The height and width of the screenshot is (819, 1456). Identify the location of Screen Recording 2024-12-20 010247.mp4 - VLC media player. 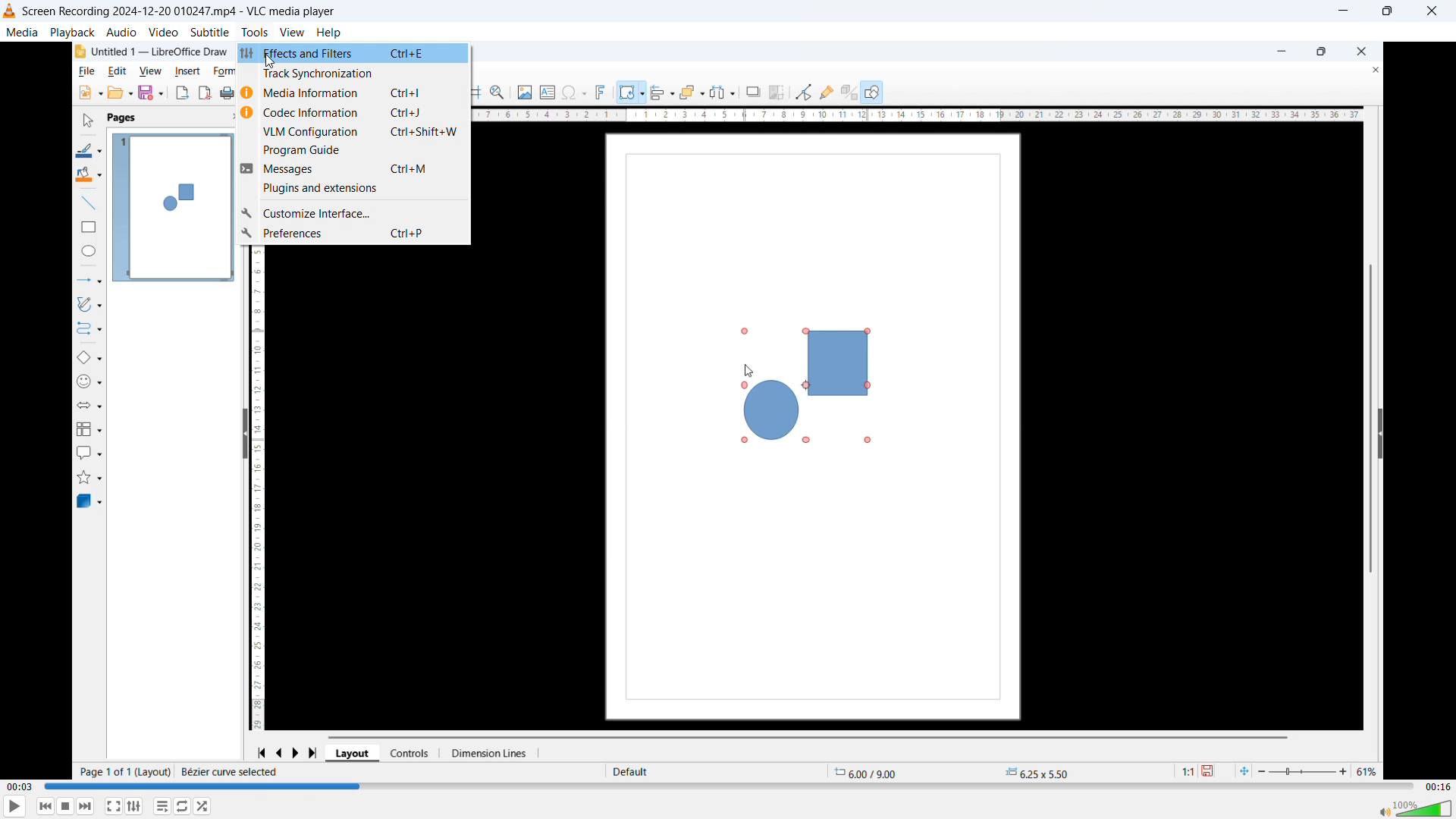
(170, 11).